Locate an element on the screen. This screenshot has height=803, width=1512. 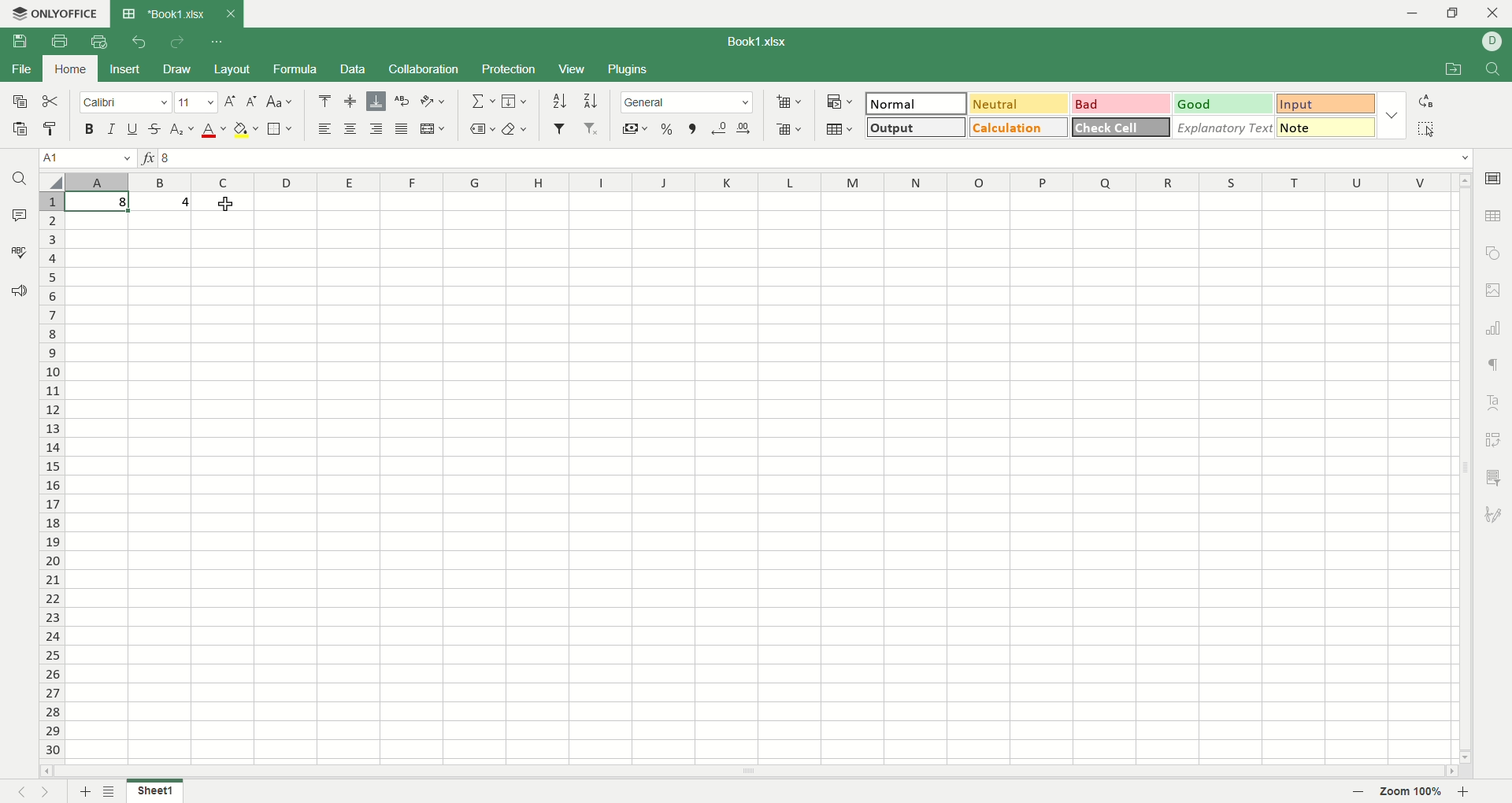
align middle is located at coordinates (348, 101).